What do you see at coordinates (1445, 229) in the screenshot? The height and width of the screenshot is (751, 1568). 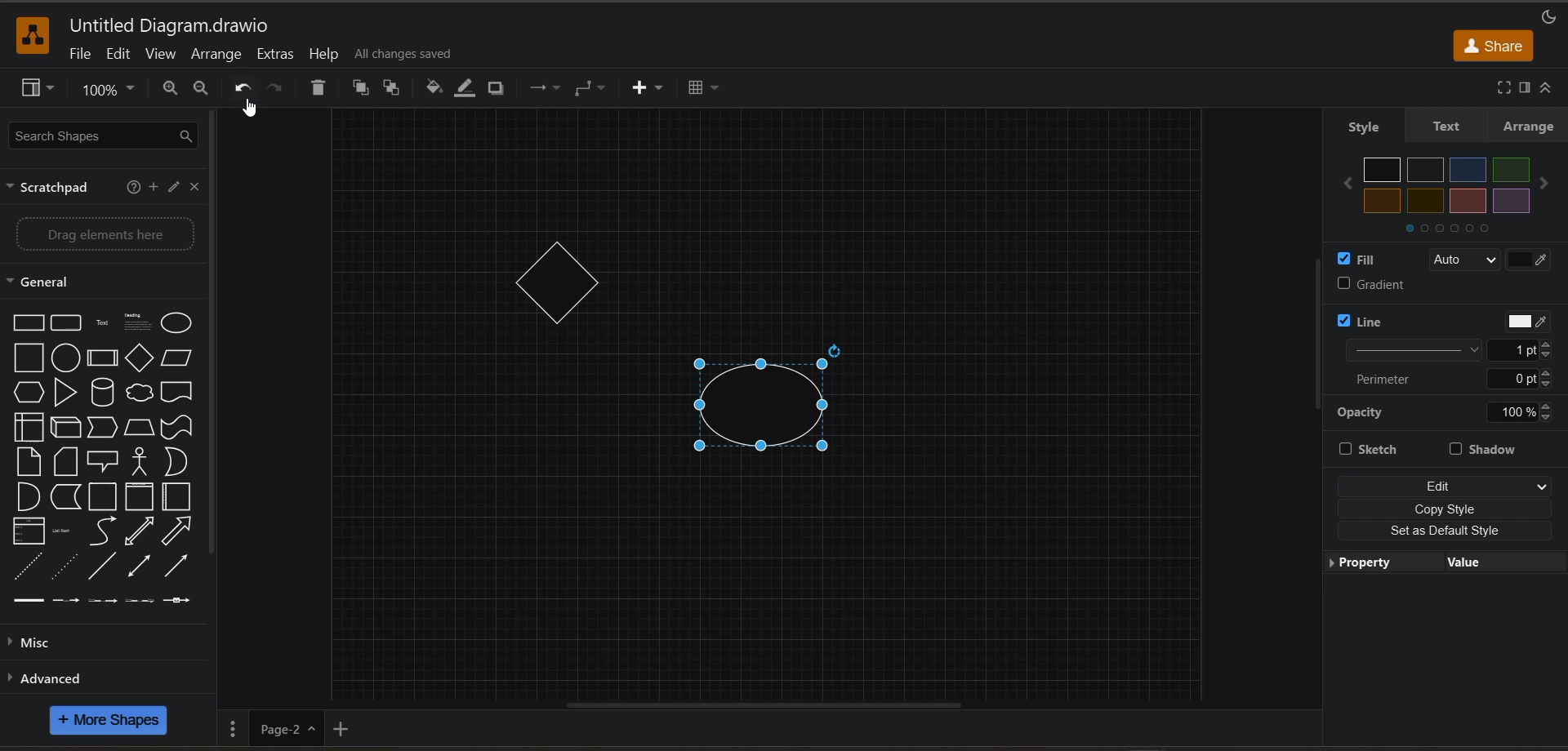 I see `Colors Navigator` at bounding box center [1445, 229].